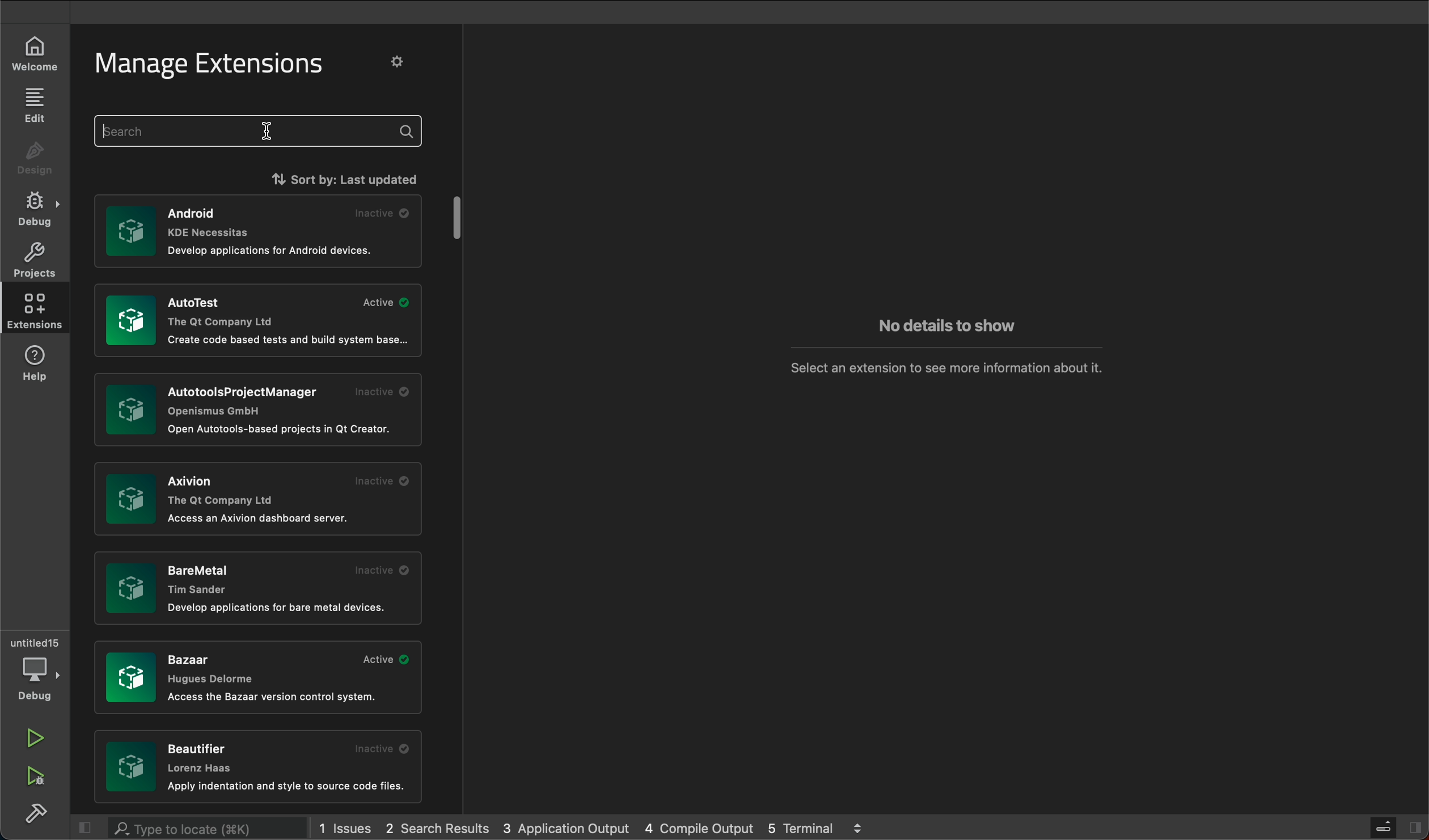 This screenshot has height=840, width=1429. Describe the element at coordinates (132, 768) in the screenshot. I see `image` at that location.